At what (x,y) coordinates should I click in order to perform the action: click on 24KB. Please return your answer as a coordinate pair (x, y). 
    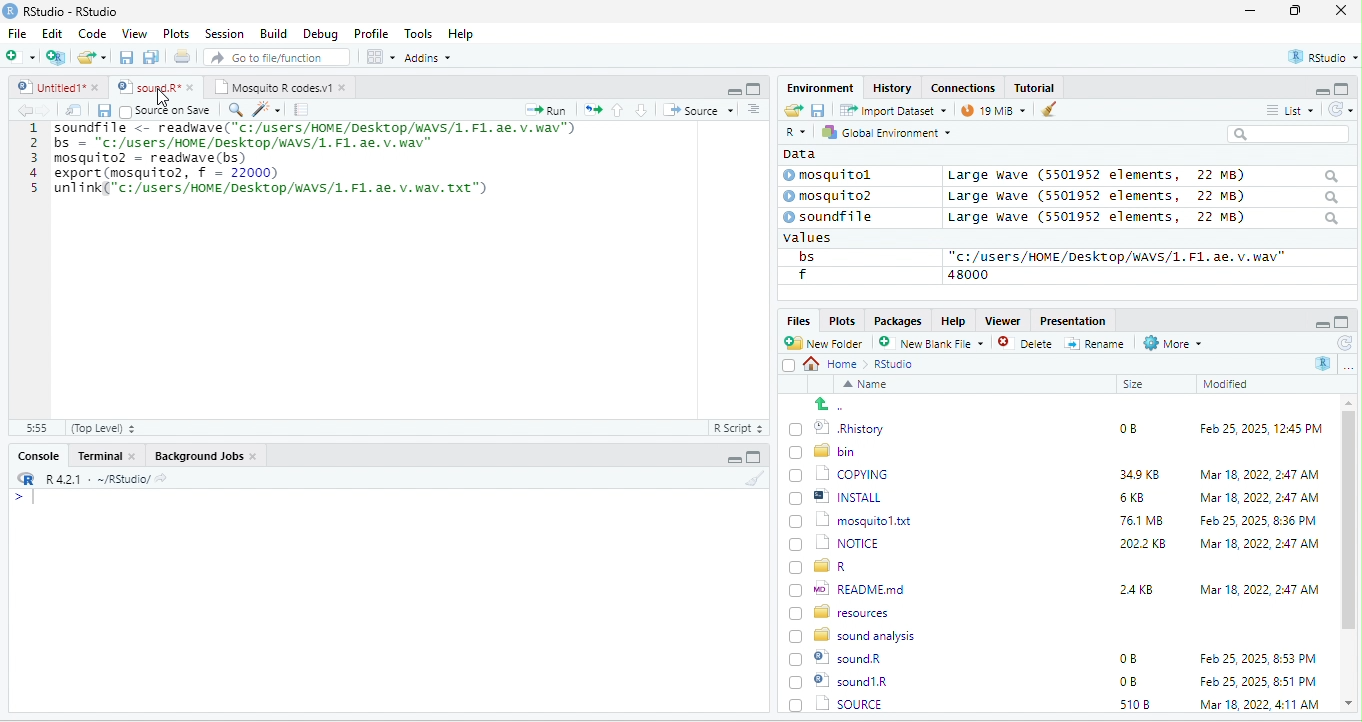
    Looking at the image, I should click on (1133, 588).